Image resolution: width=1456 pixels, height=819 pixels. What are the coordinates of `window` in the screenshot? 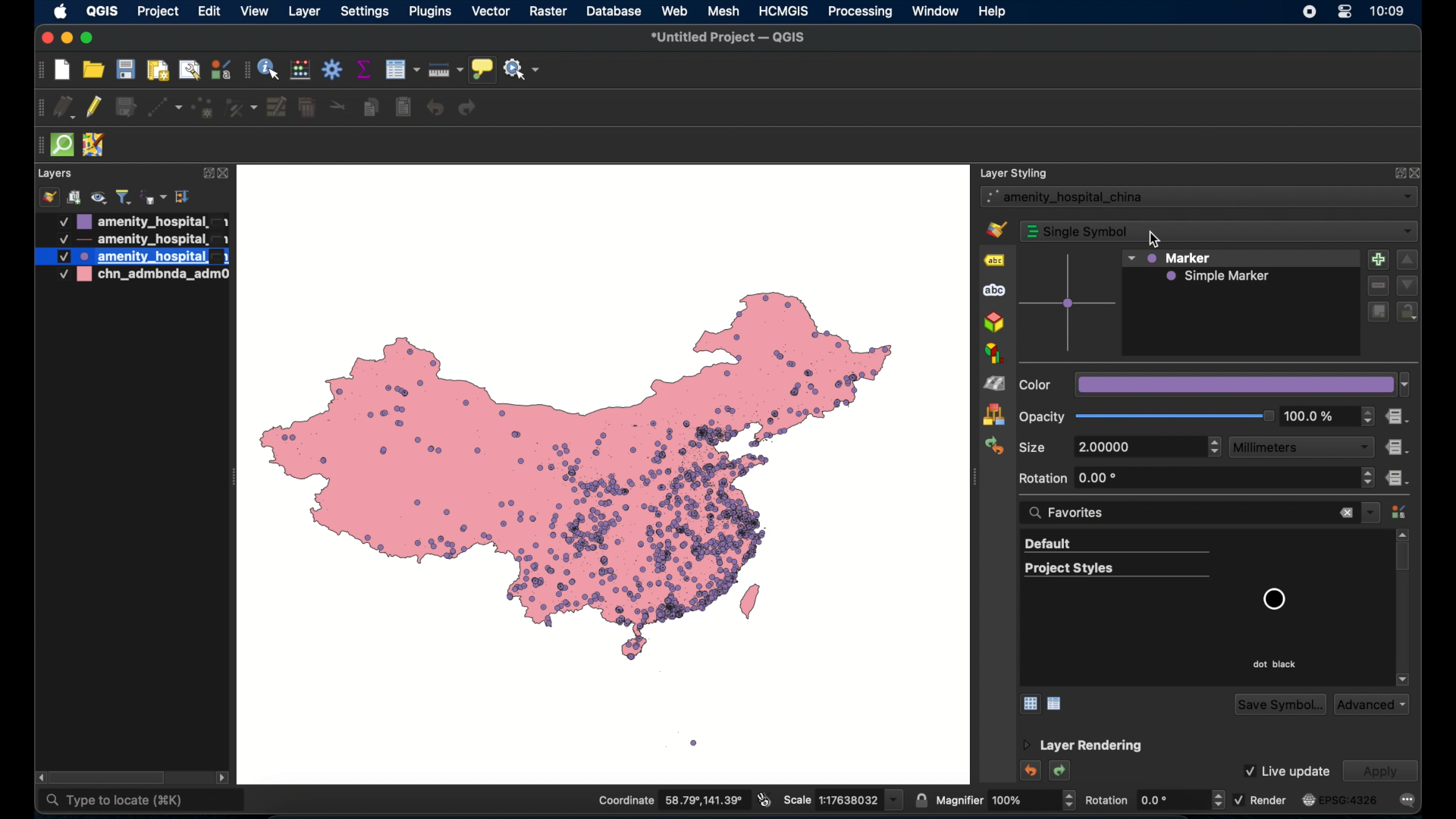 It's located at (935, 11).